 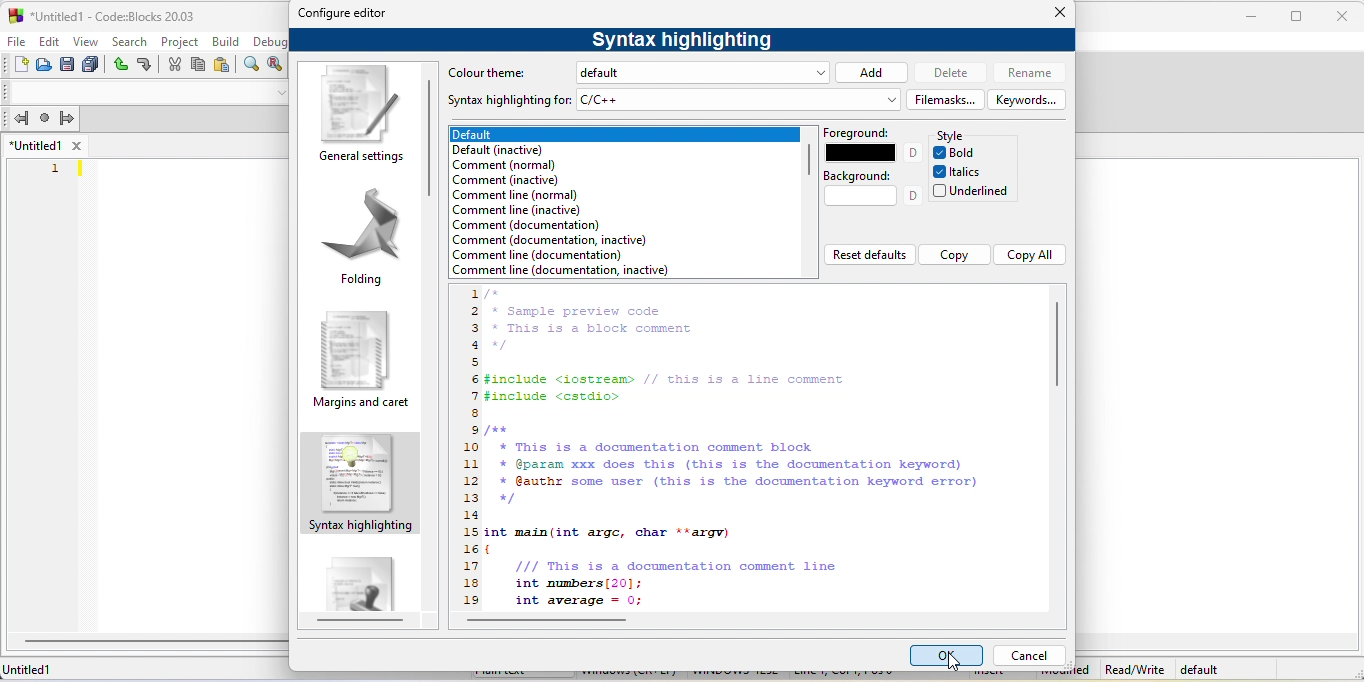 I want to click on vertical scroll bar, so click(x=1061, y=344).